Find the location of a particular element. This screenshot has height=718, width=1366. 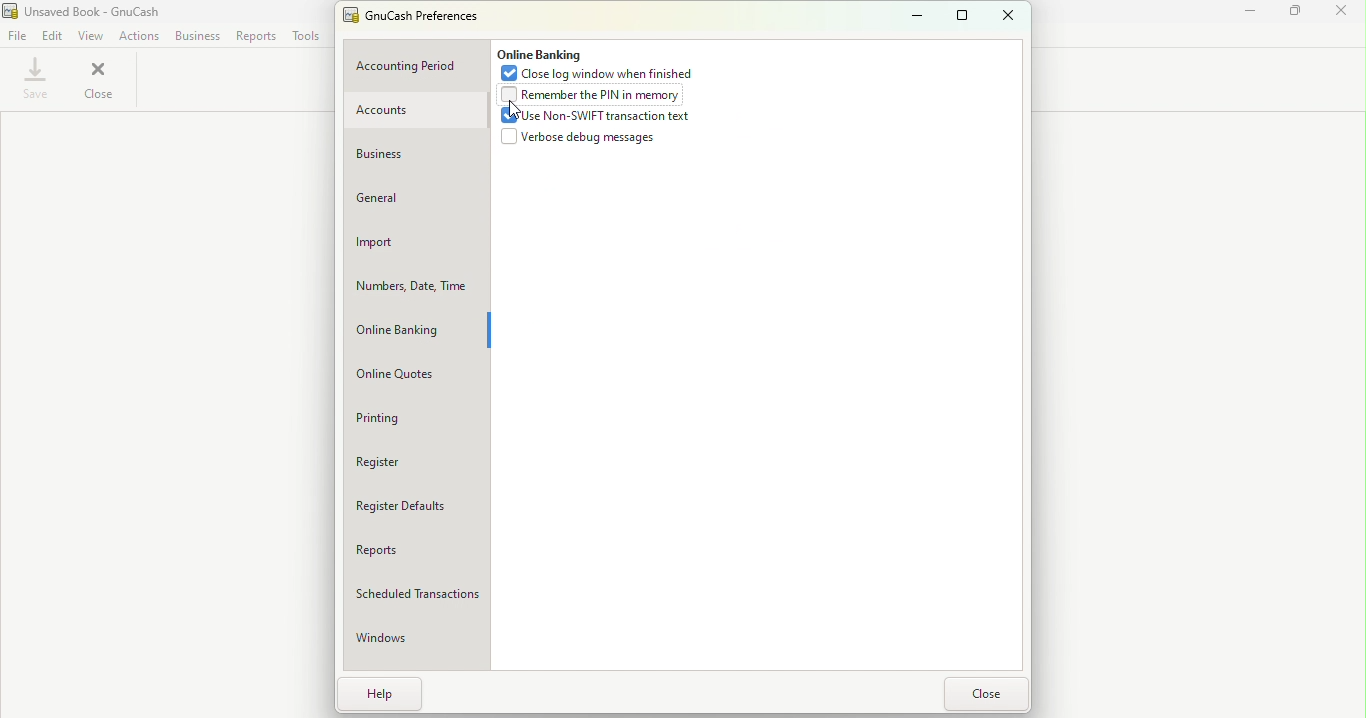

Help is located at coordinates (386, 693).